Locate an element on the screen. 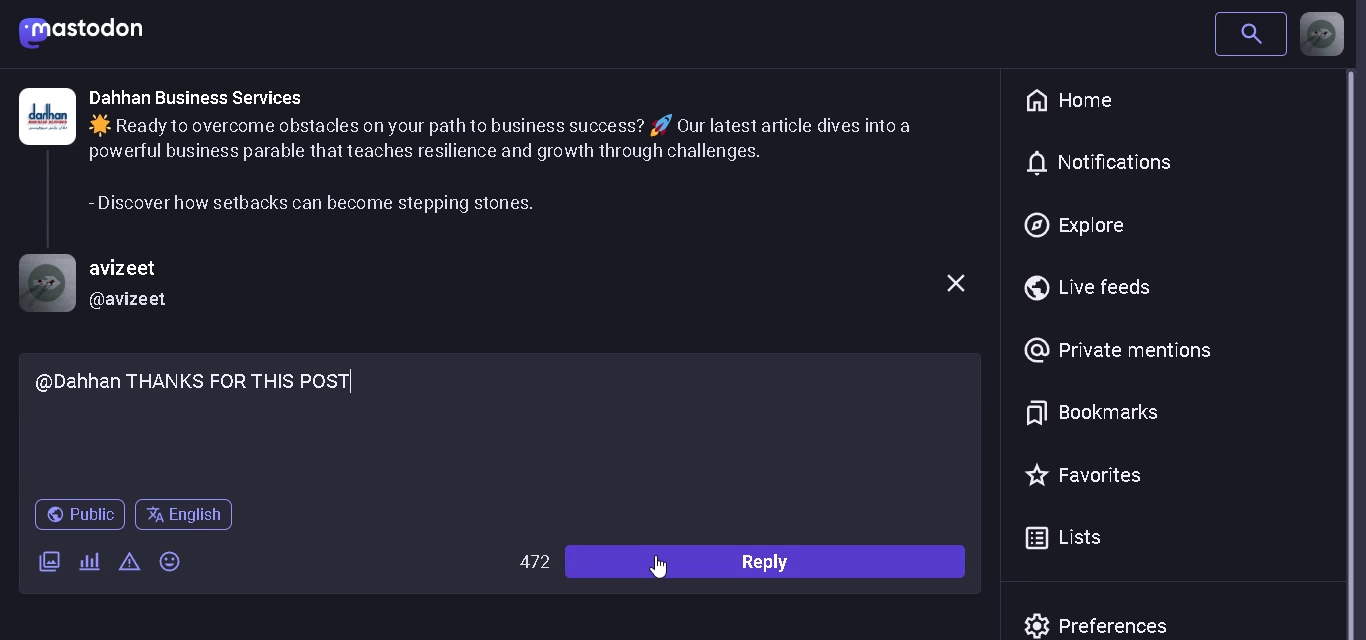 The height and width of the screenshot is (640, 1366). profile picture is located at coordinates (1322, 34).